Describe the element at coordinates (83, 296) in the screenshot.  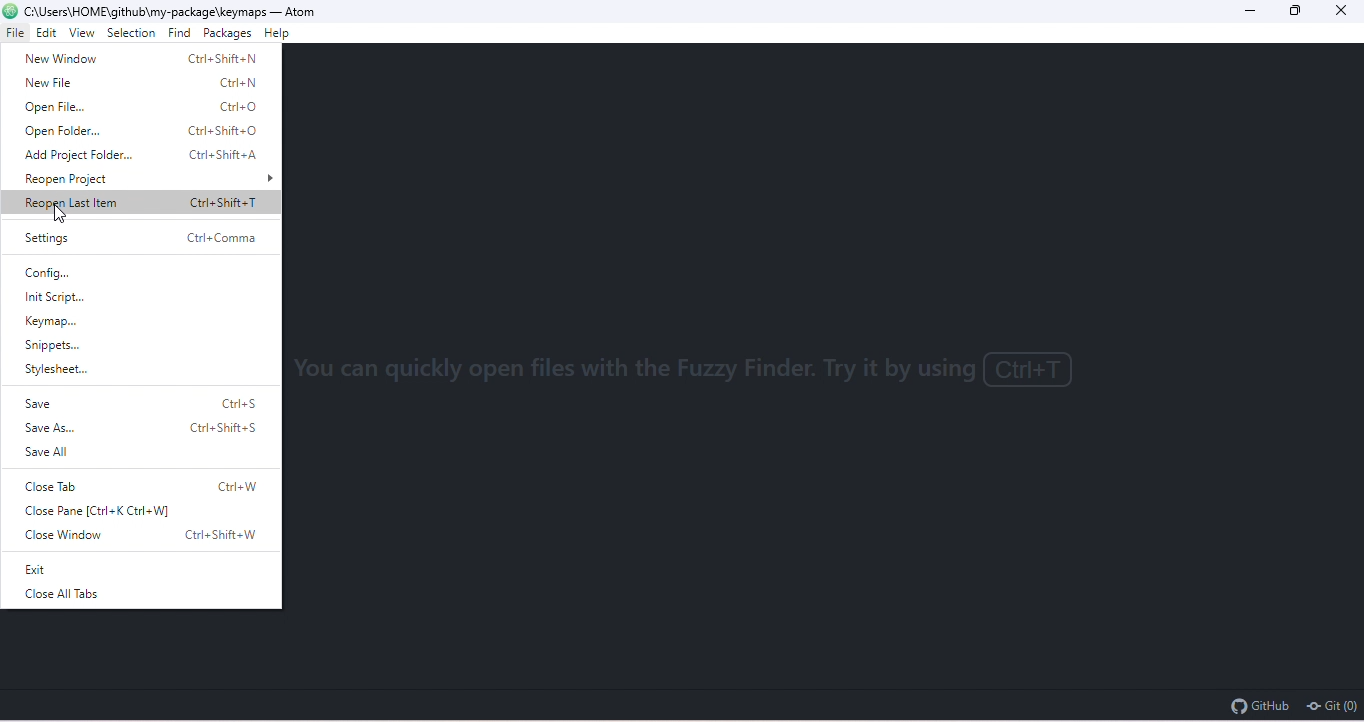
I see `Init script` at that location.